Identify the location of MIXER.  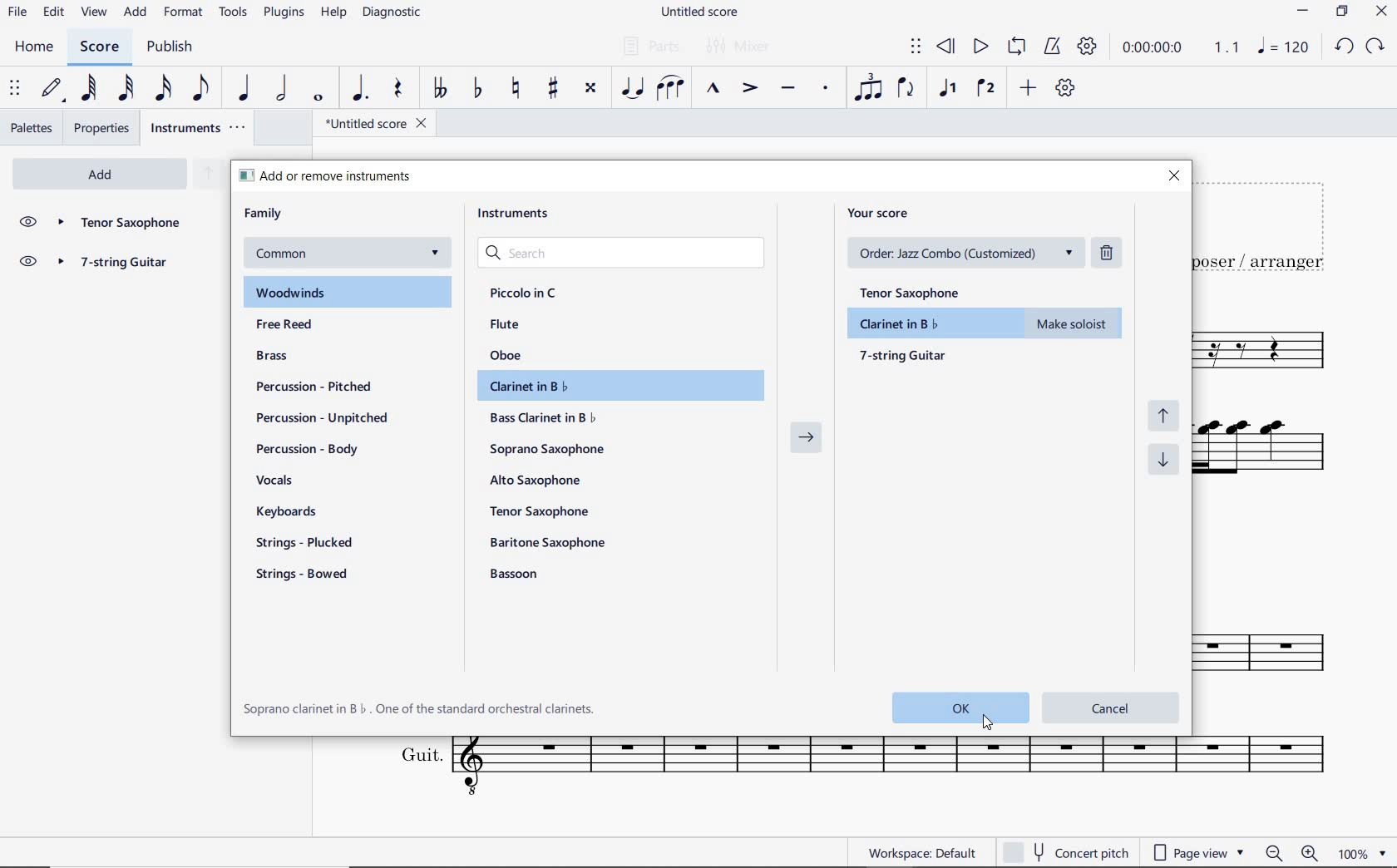
(740, 47).